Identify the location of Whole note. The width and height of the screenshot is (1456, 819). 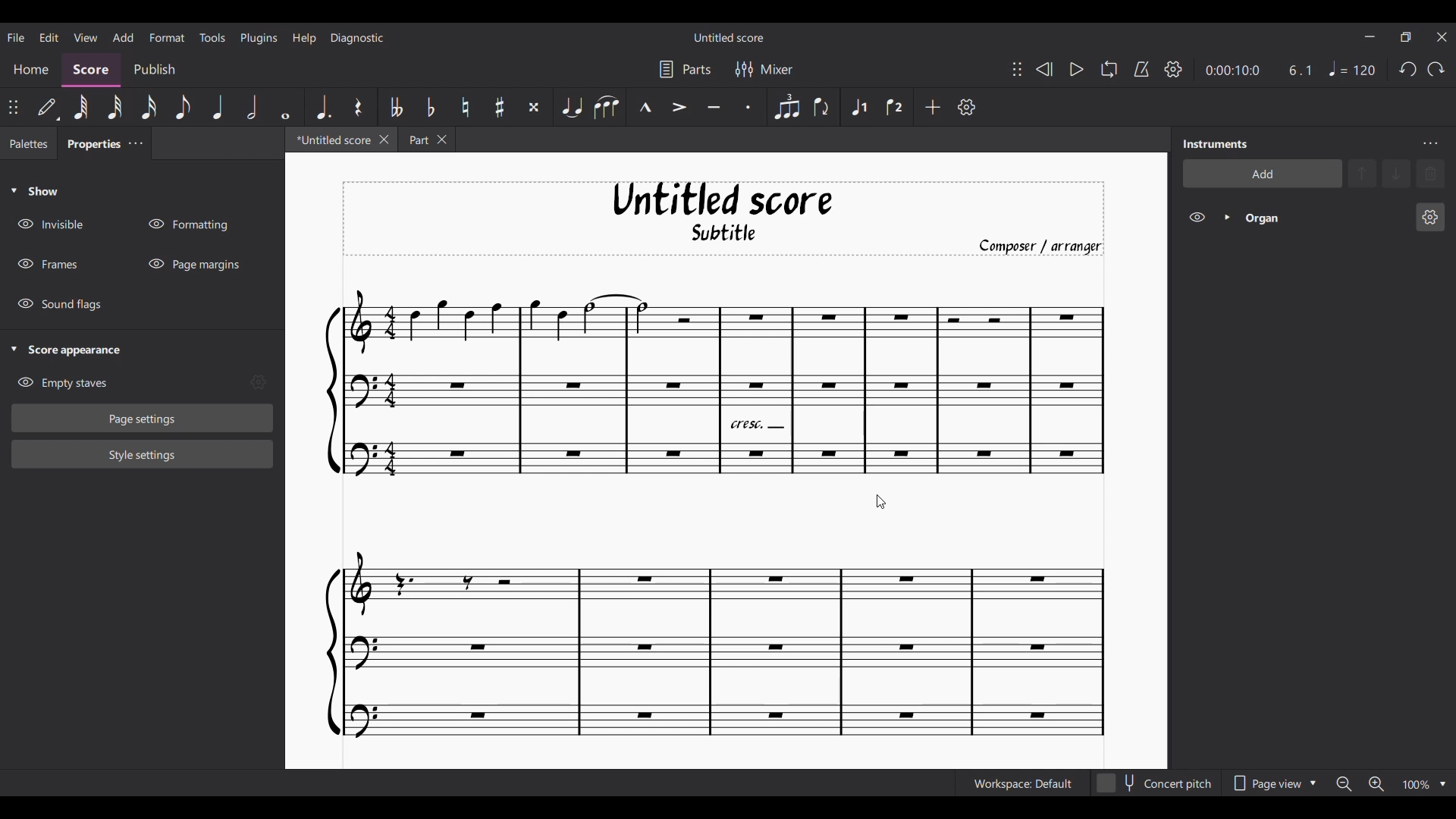
(286, 108).